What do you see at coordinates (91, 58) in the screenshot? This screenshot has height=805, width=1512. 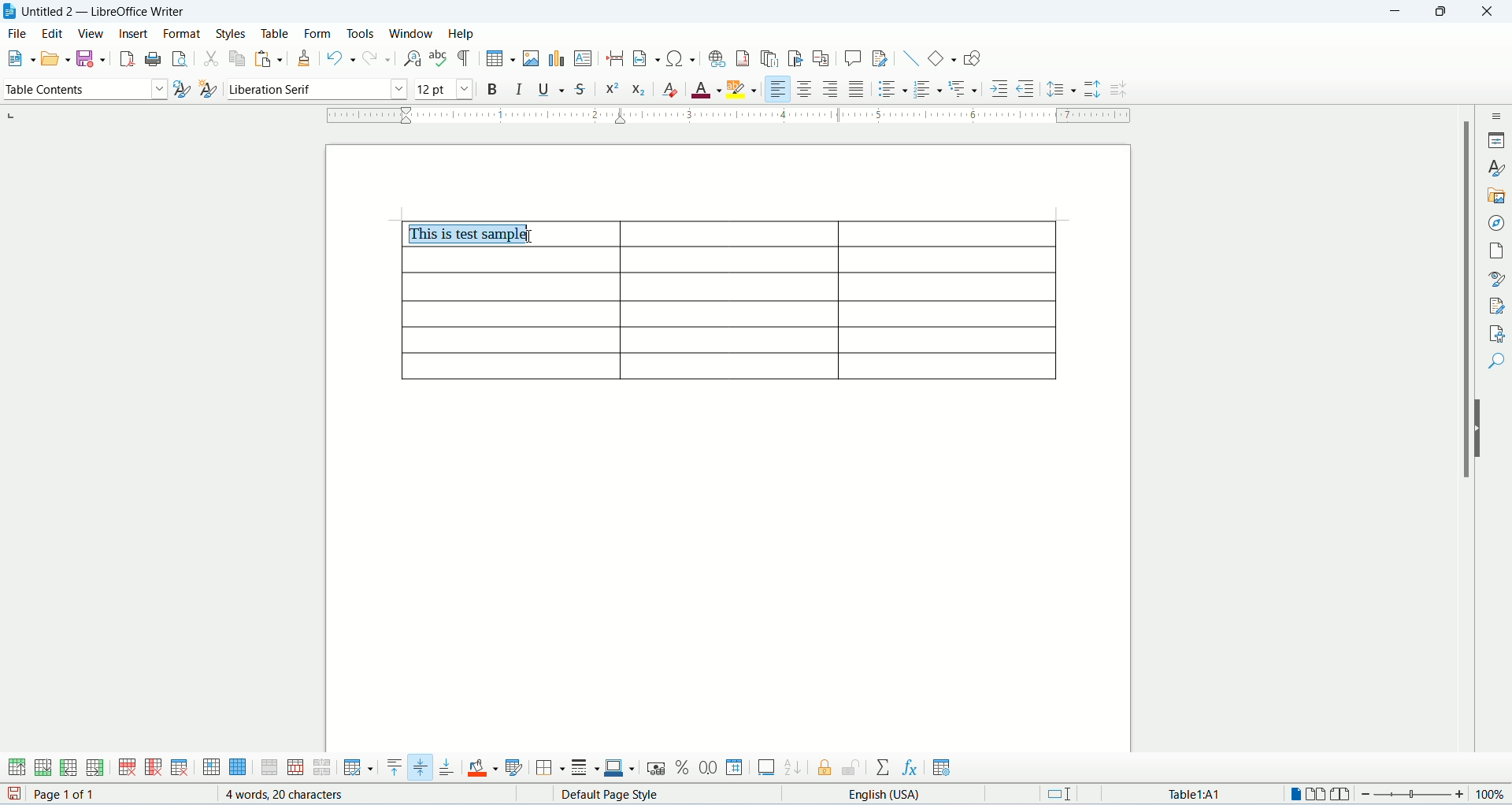 I see `safe` at bounding box center [91, 58].